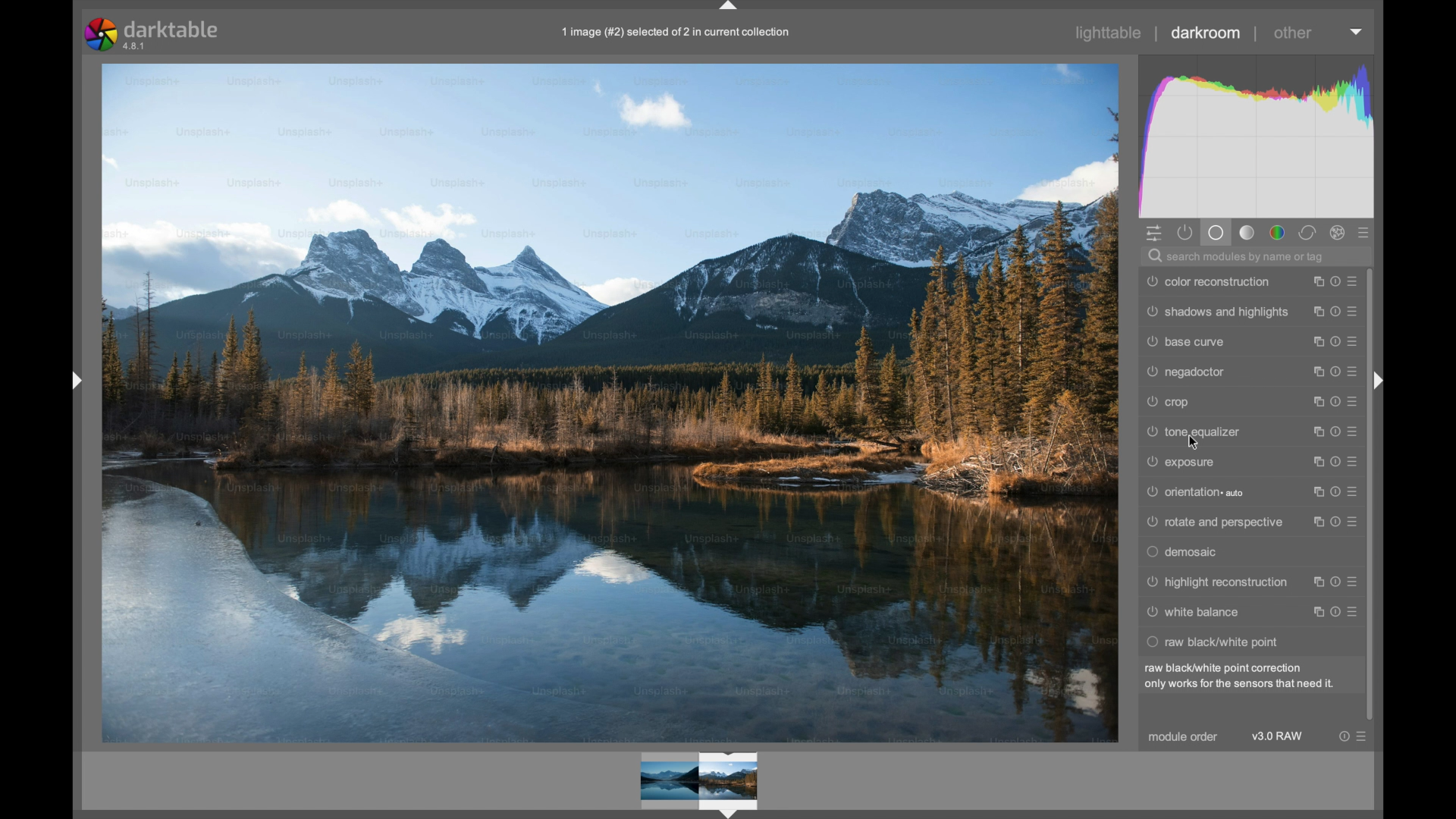 This screenshot has height=819, width=1456. What do you see at coordinates (1194, 444) in the screenshot?
I see `Cursor` at bounding box center [1194, 444].